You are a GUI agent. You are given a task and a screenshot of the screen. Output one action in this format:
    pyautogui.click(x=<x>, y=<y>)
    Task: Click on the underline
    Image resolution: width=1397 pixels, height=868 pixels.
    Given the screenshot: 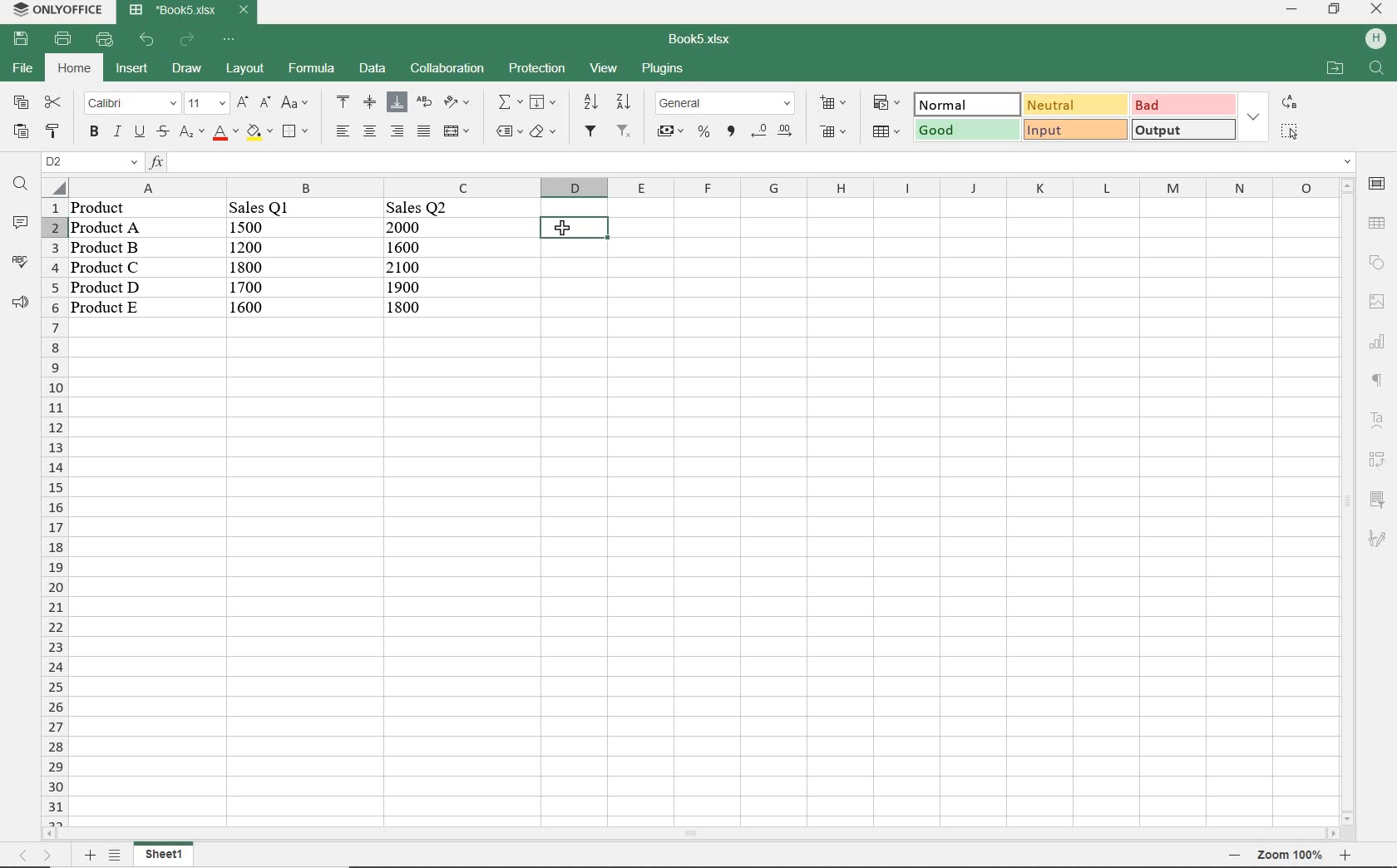 What is the action you would take?
    pyautogui.click(x=139, y=131)
    